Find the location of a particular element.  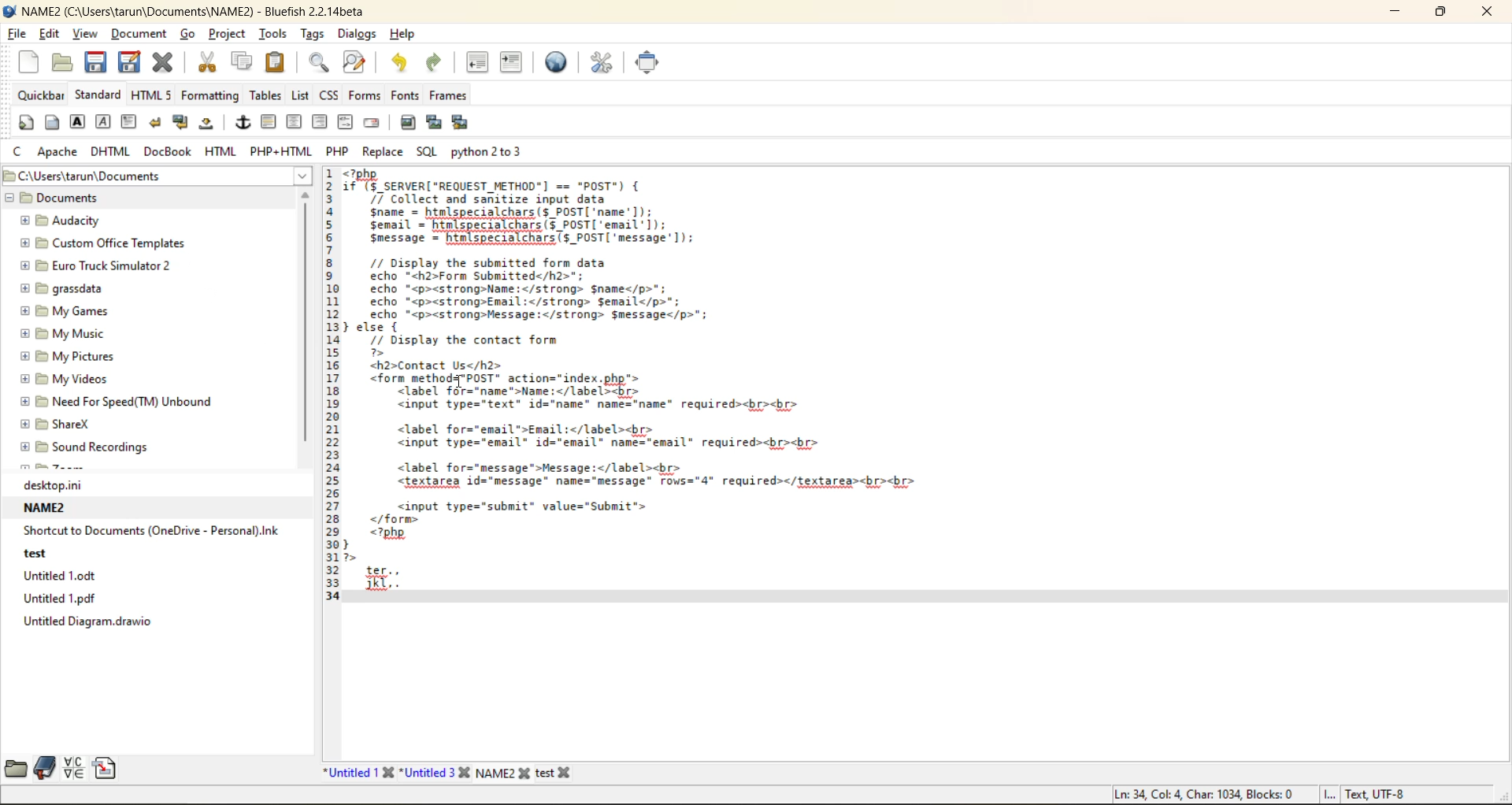

c is located at coordinates (20, 150).